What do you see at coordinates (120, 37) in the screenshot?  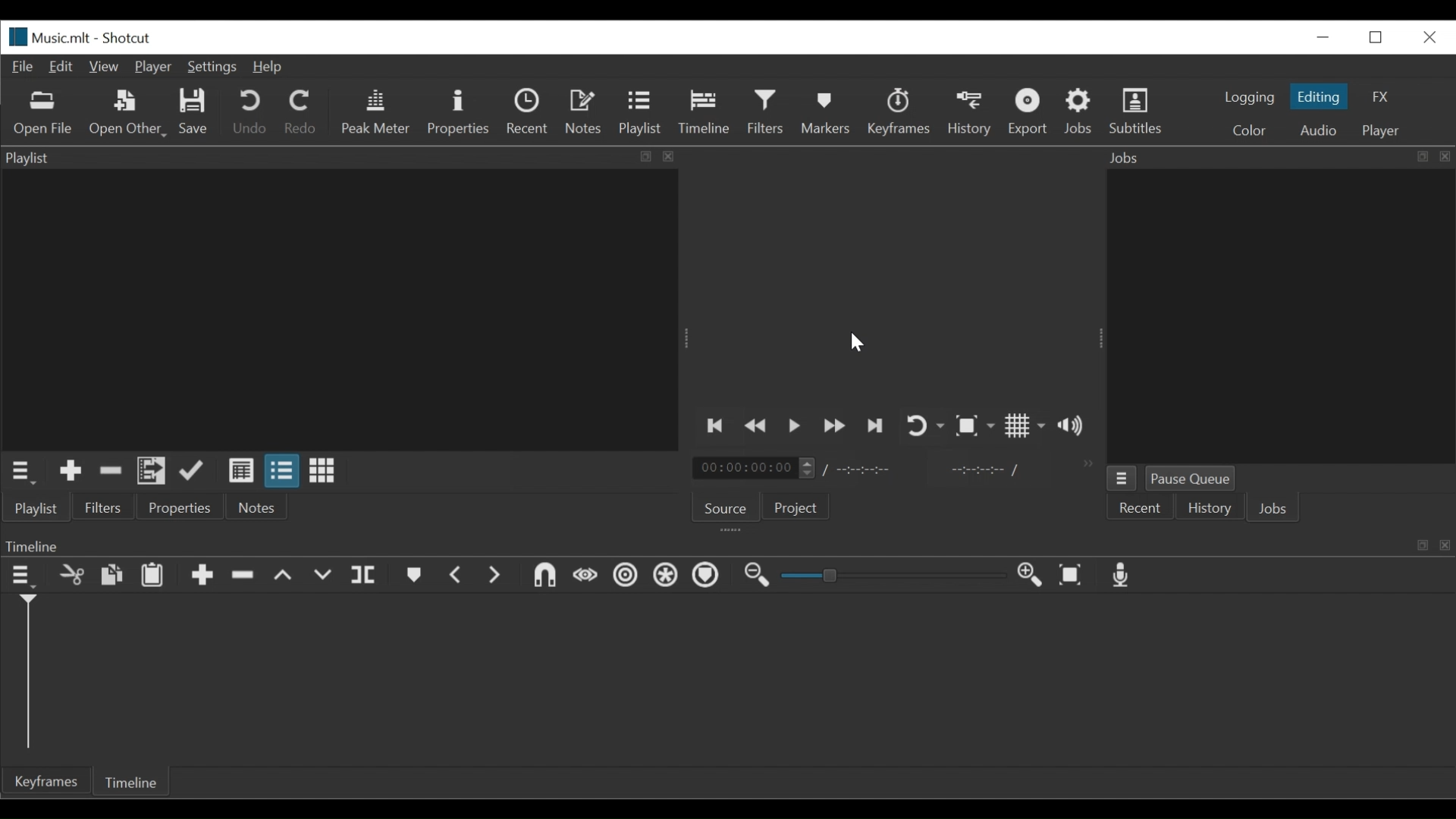 I see `Shotcut` at bounding box center [120, 37].